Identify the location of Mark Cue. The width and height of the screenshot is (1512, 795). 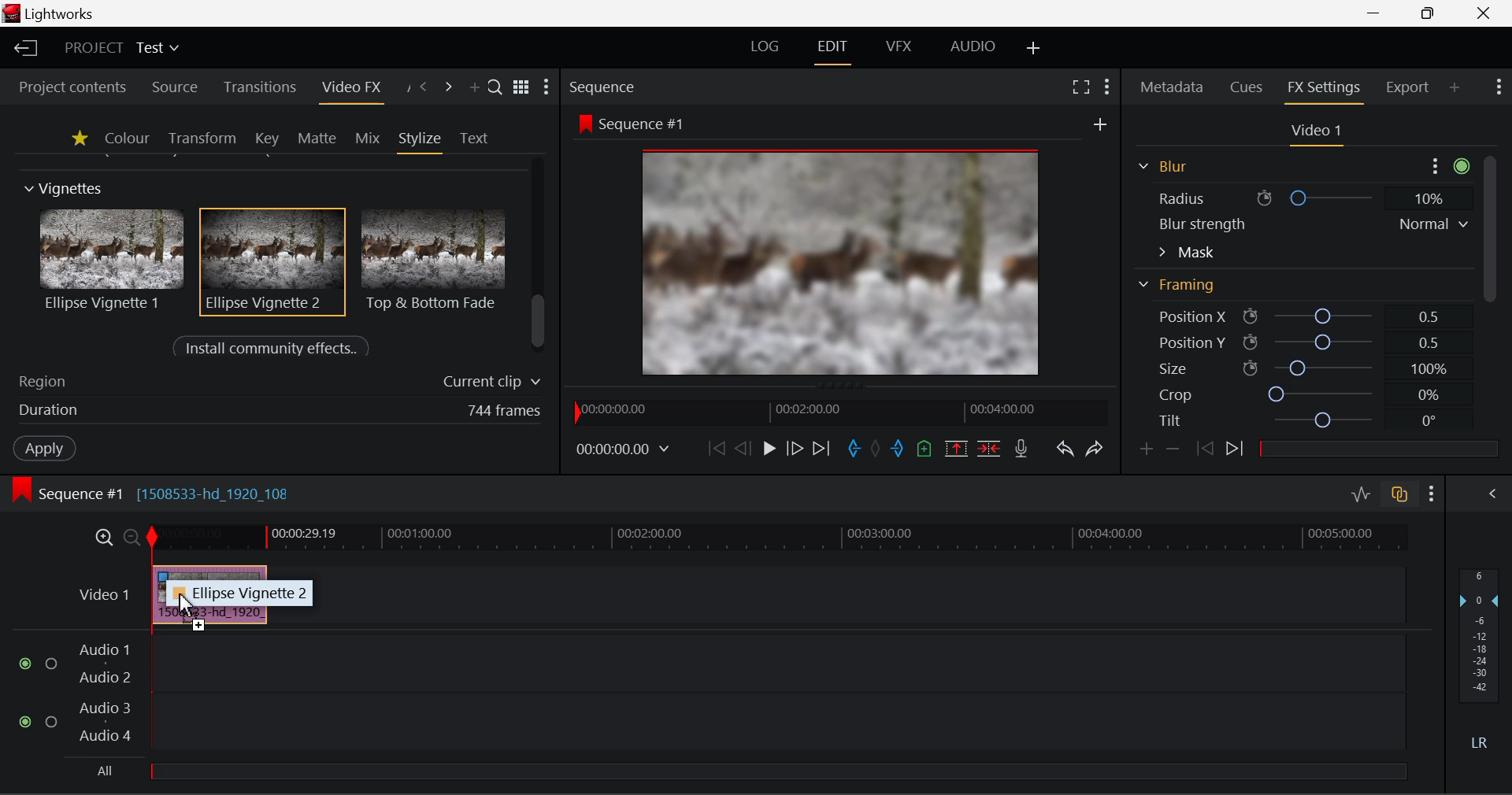
(925, 448).